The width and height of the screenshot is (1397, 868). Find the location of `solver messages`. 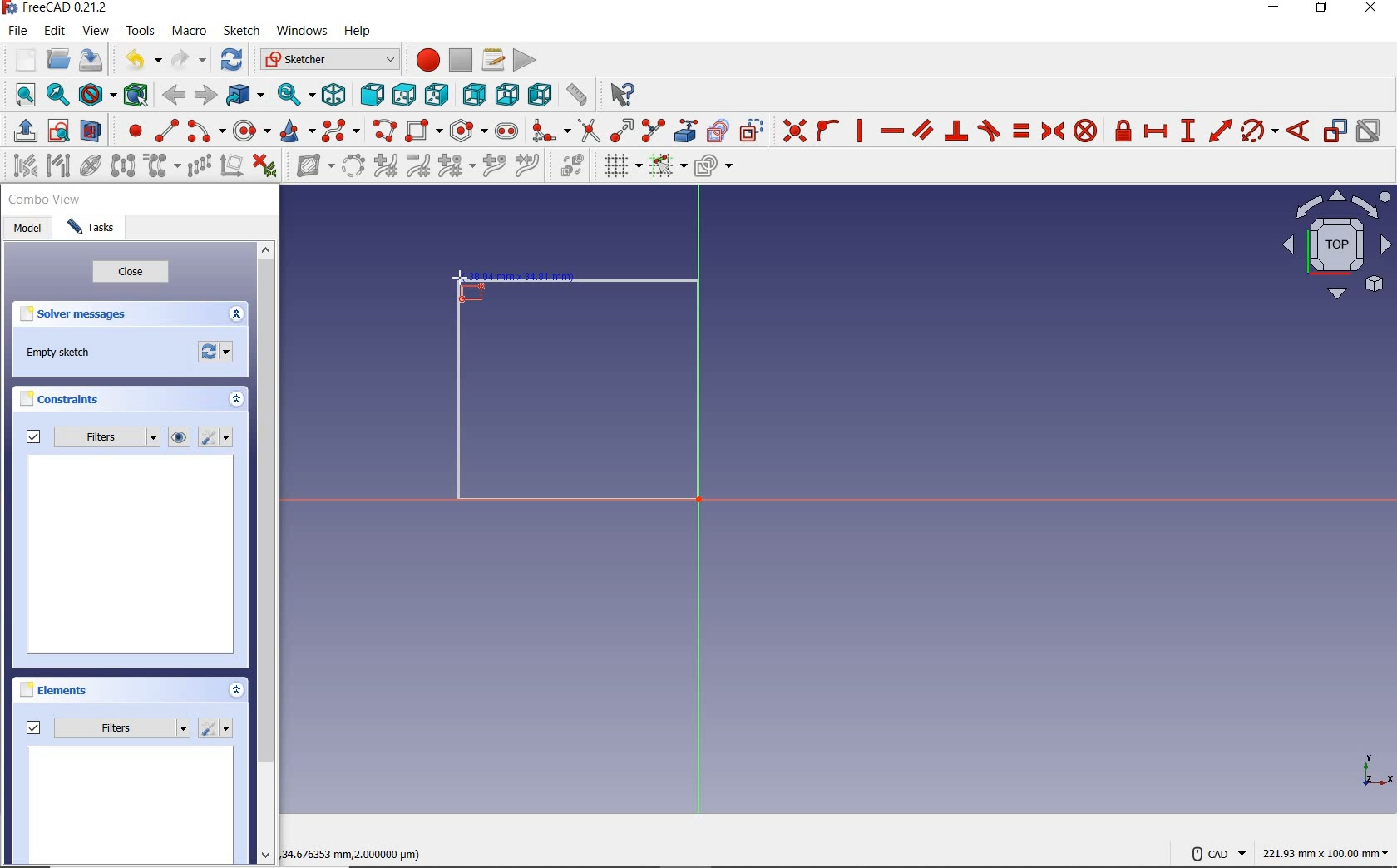

solver messages is located at coordinates (101, 315).